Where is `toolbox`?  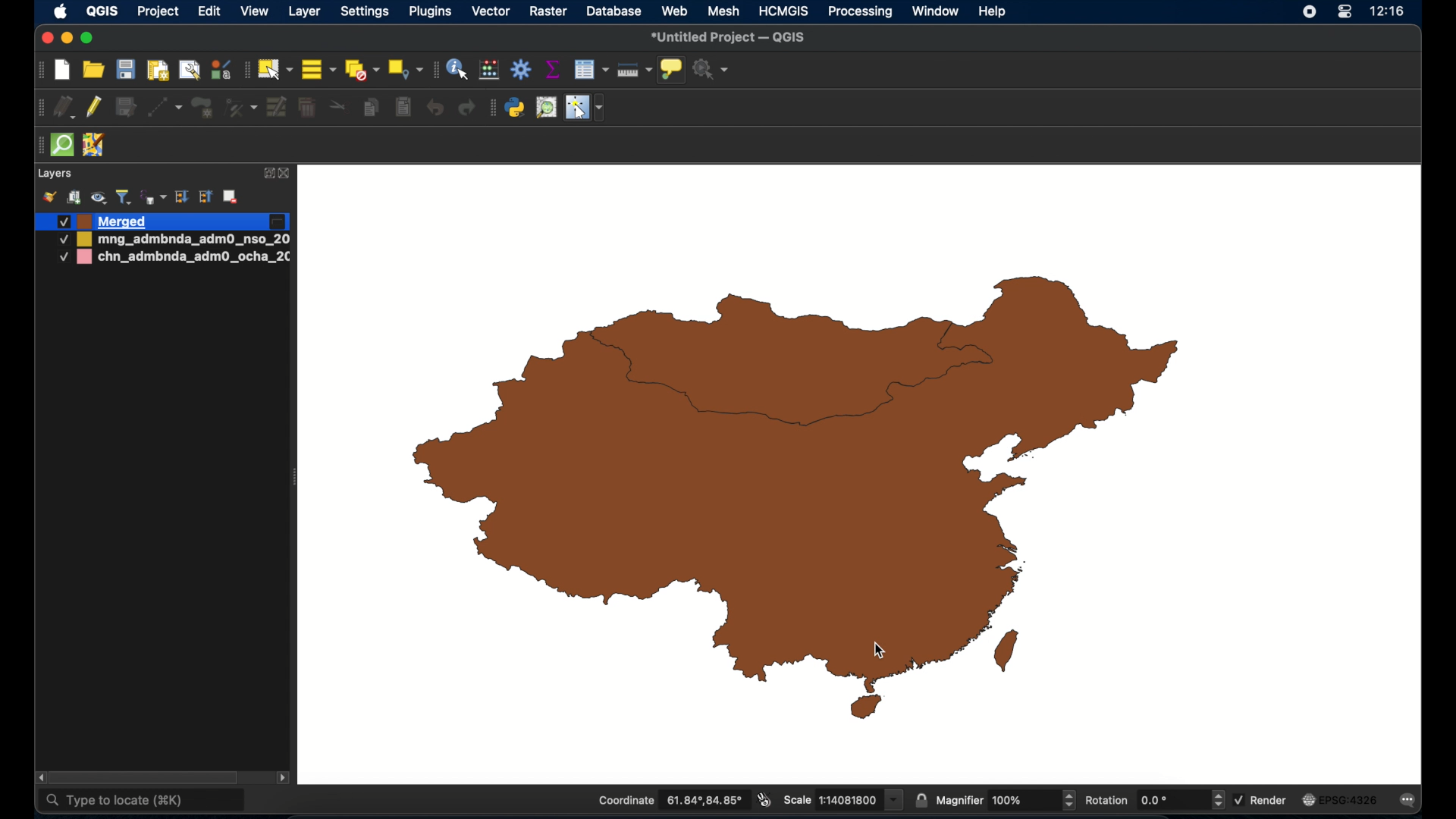
toolbox is located at coordinates (522, 70).